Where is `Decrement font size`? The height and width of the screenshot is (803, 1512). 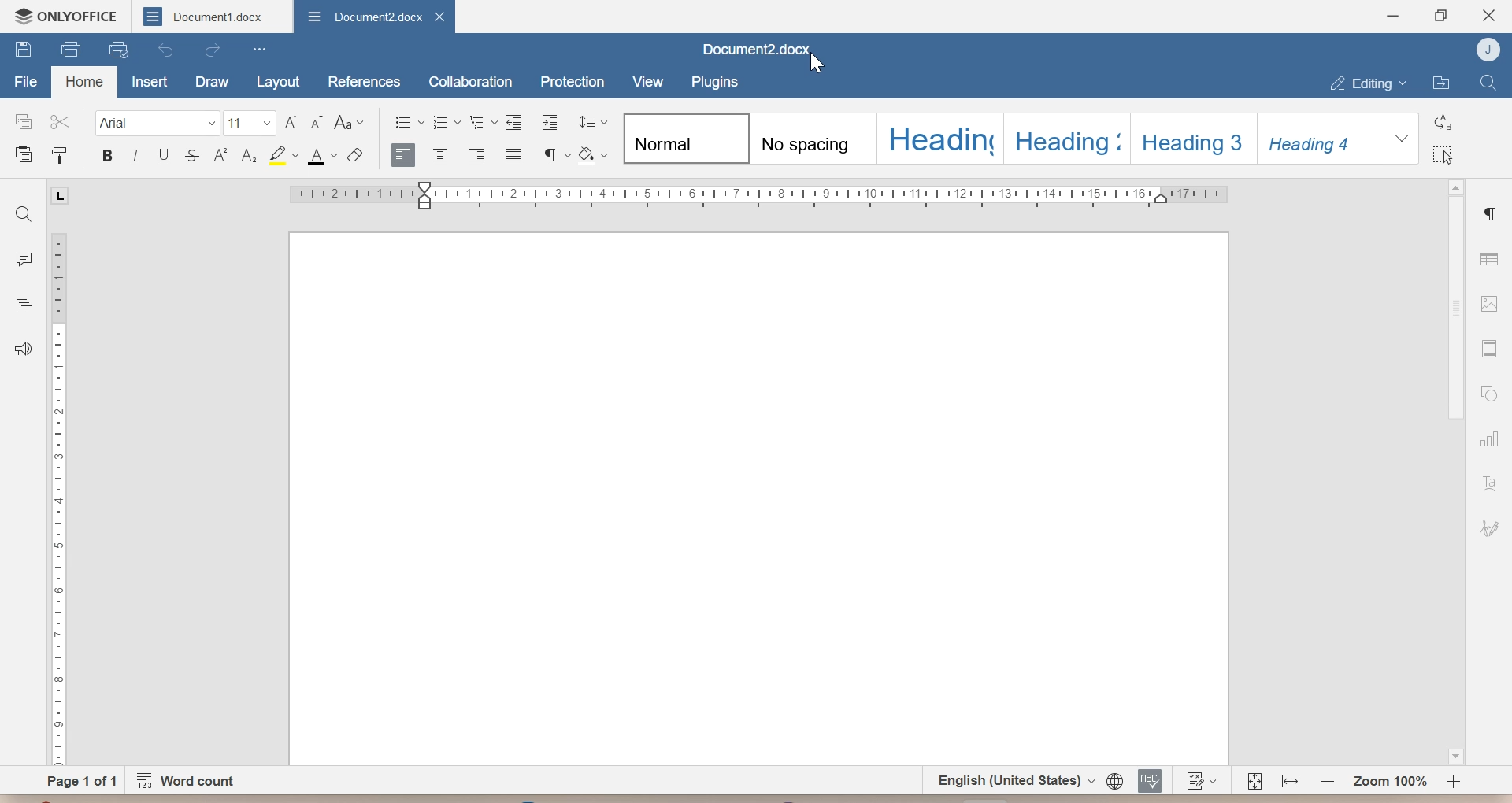 Decrement font size is located at coordinates (319, 124).